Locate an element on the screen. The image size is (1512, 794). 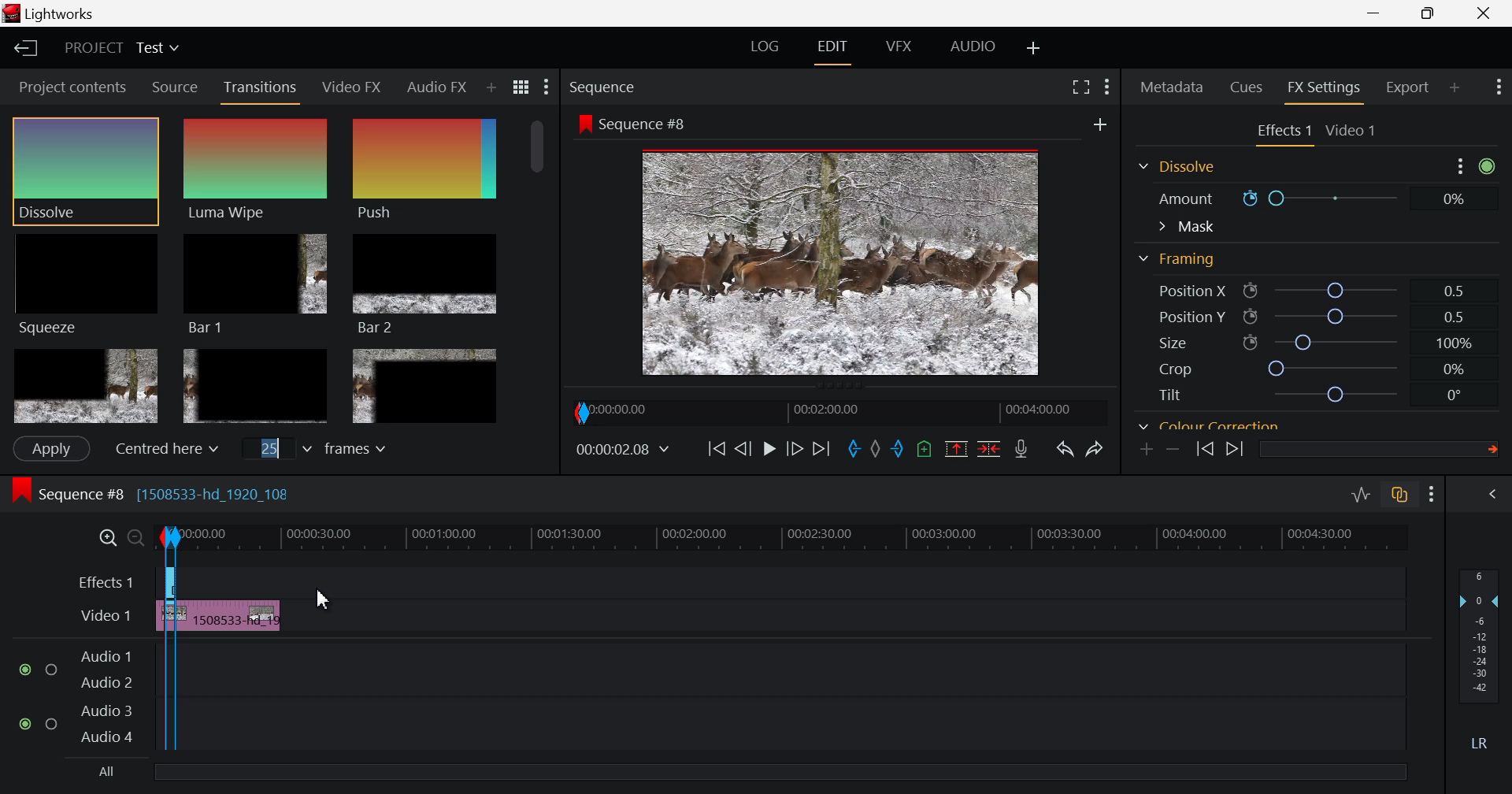
Redo is located at coordinates (1096, 445).